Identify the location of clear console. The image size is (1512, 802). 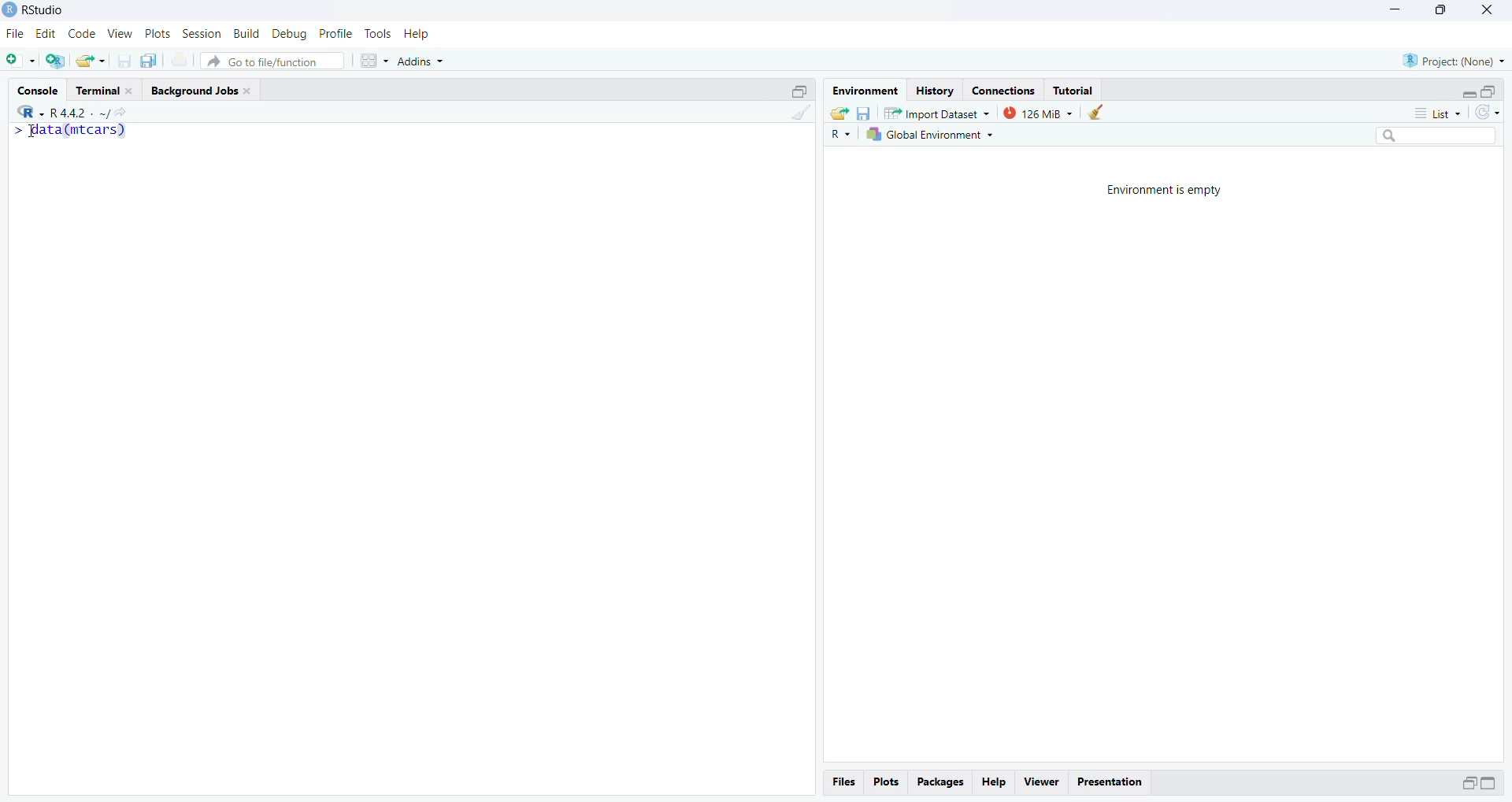
(799, 112).